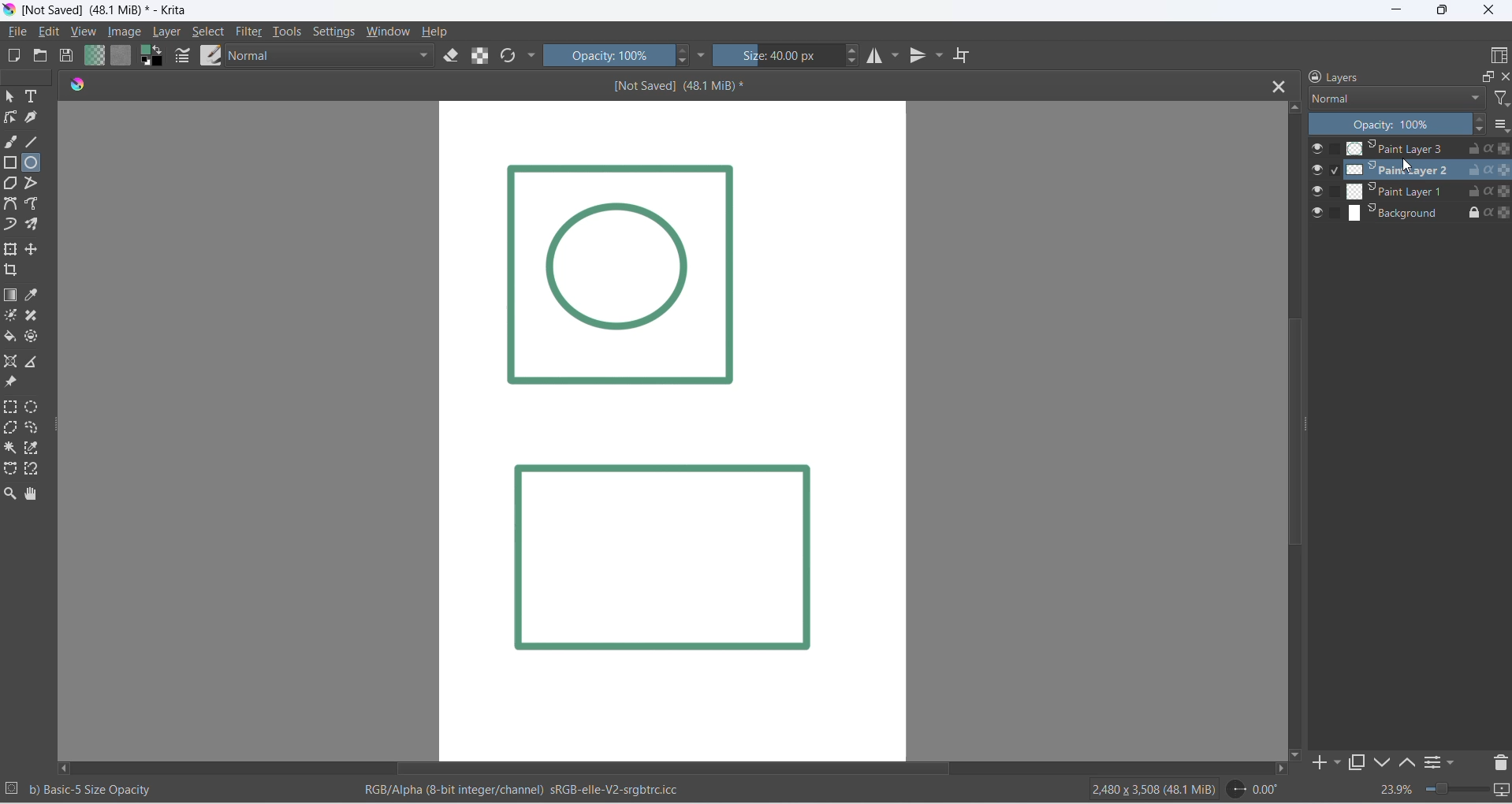 The image size is (1512, 804). Describe the element at coordinates (929, 56) in the screenshot. I see `vertical mirror tool` at that location.